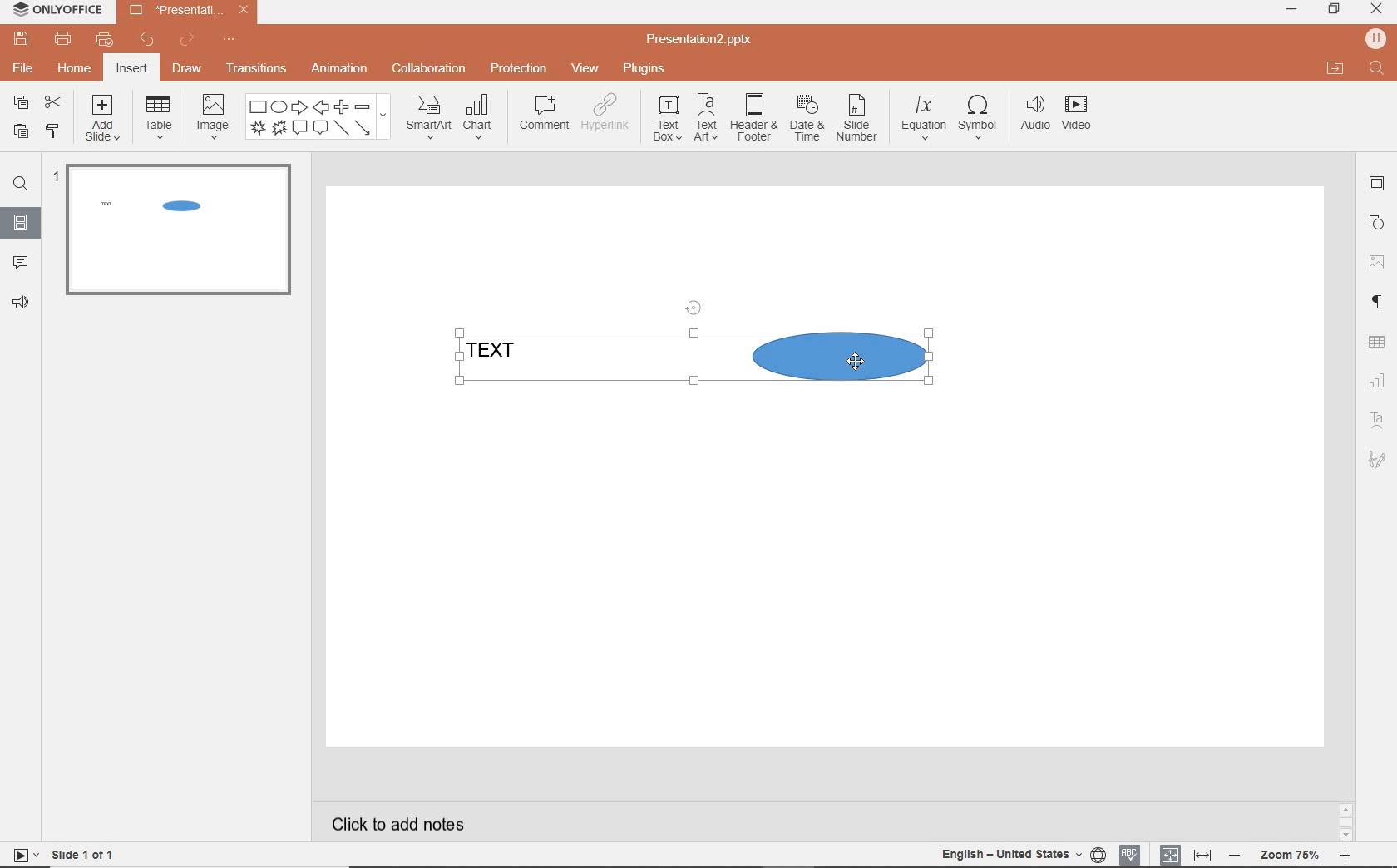 The image size is (1397, 868). What do you see at coordinates (1291, 10) in the screenshot?
I see `minimize` at bounding box center [1291, 10].